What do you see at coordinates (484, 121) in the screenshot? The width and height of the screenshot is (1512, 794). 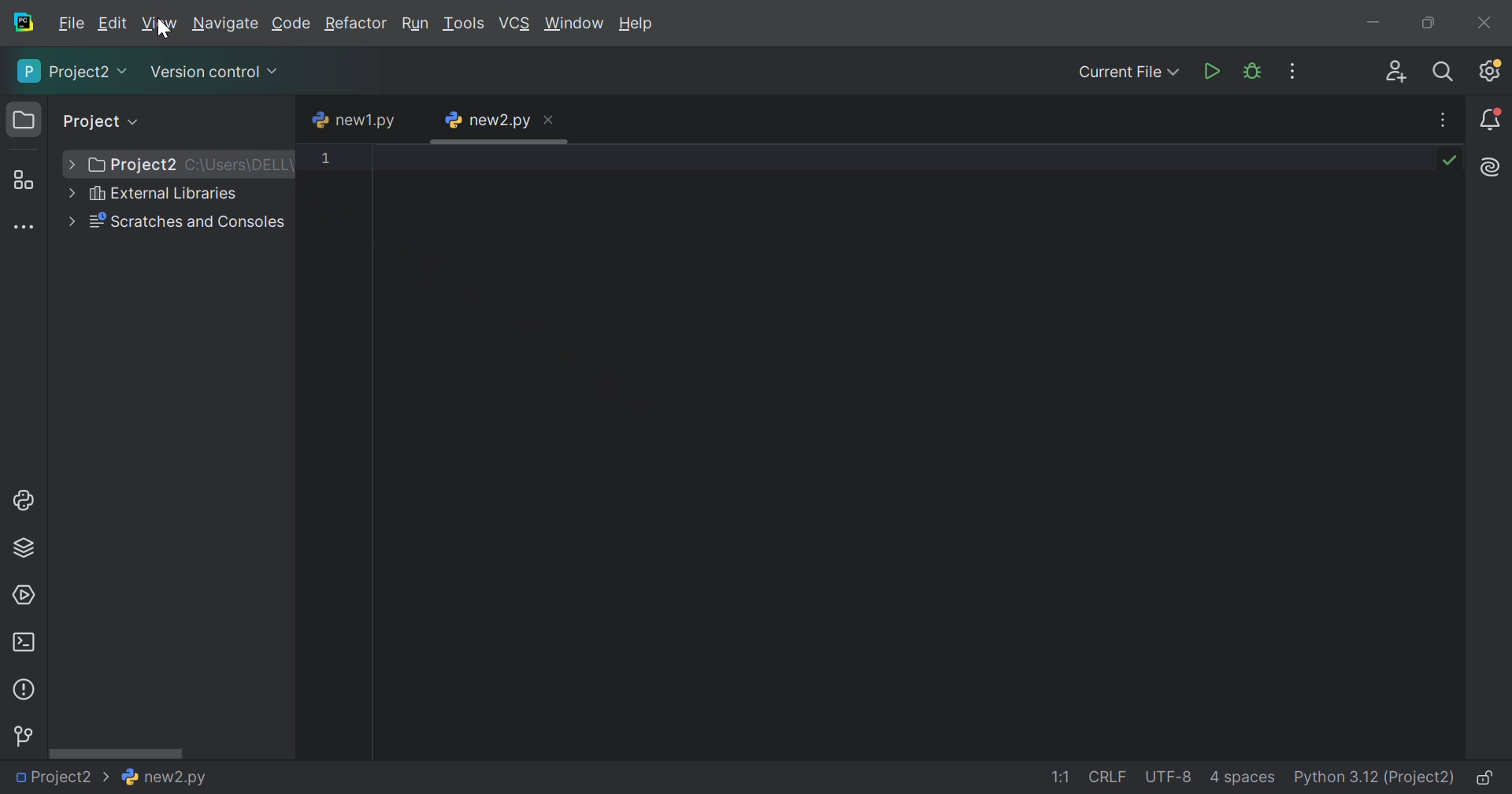 I see `new2.py` at bounding box center [484, 121].